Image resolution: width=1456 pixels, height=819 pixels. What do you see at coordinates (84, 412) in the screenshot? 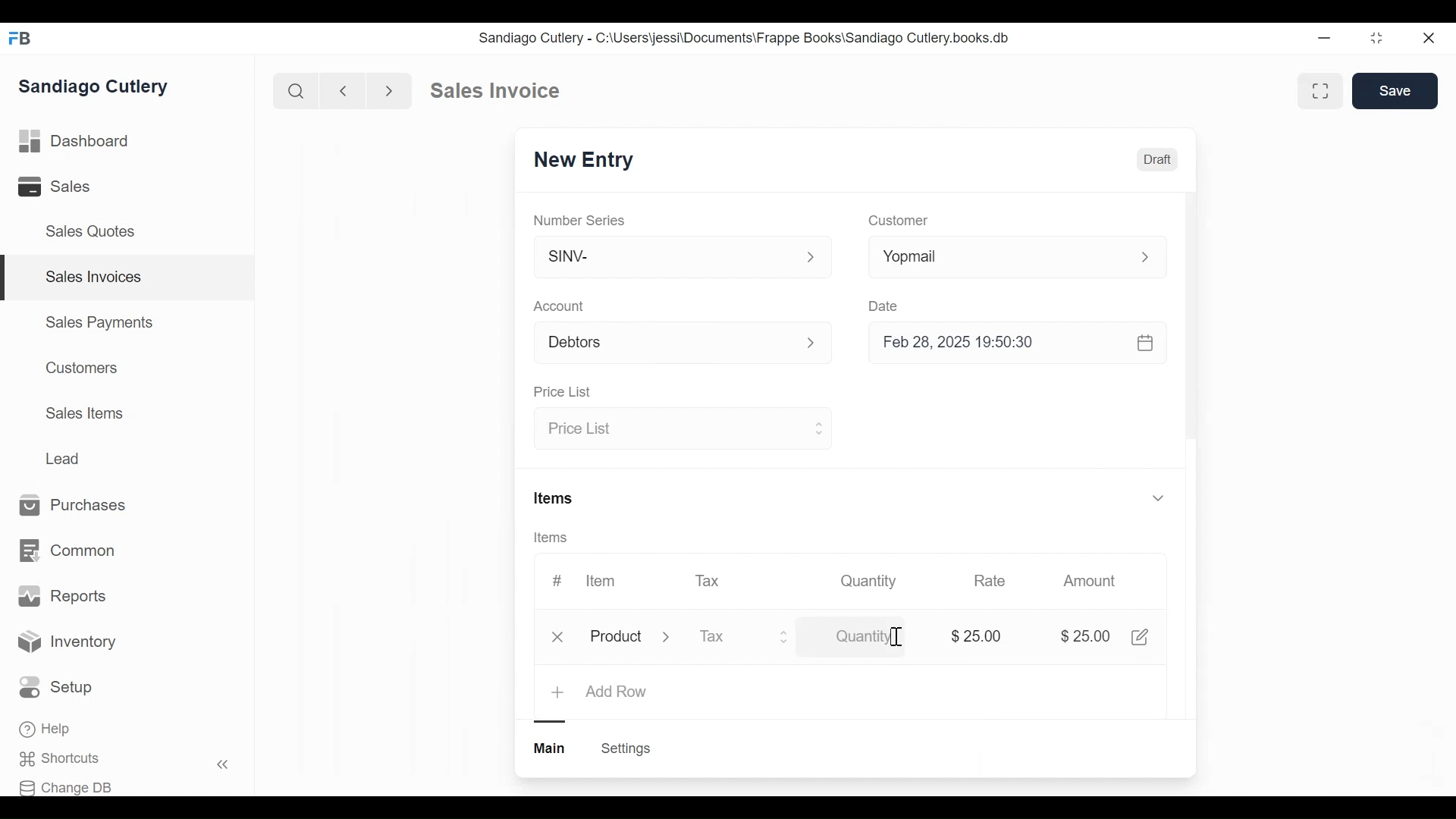
I see `Sales Items` at bounding box center [84, 412].